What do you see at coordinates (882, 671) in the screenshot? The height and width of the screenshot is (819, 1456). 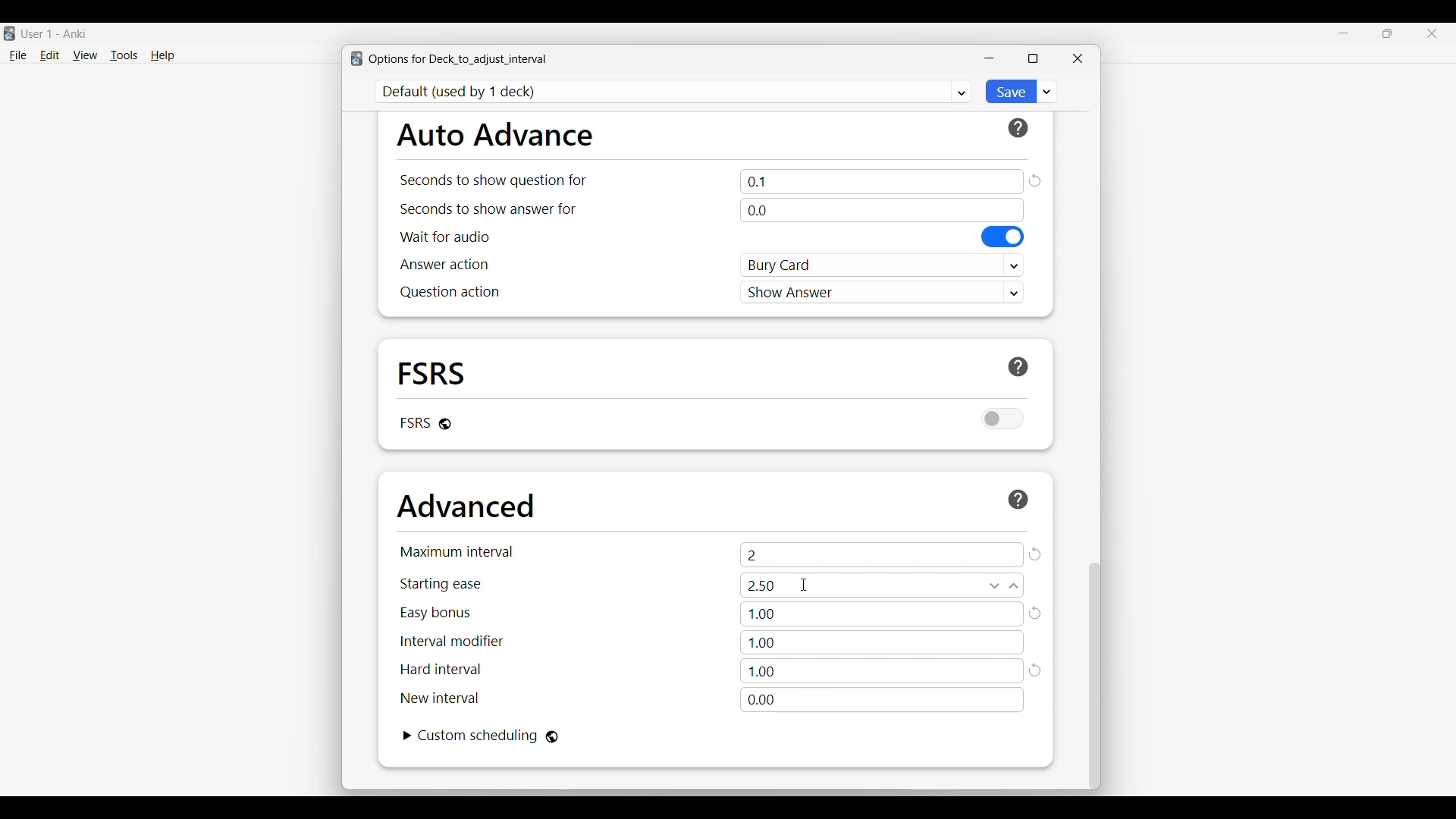 I see `1.00` at bounding box center [882, 671].